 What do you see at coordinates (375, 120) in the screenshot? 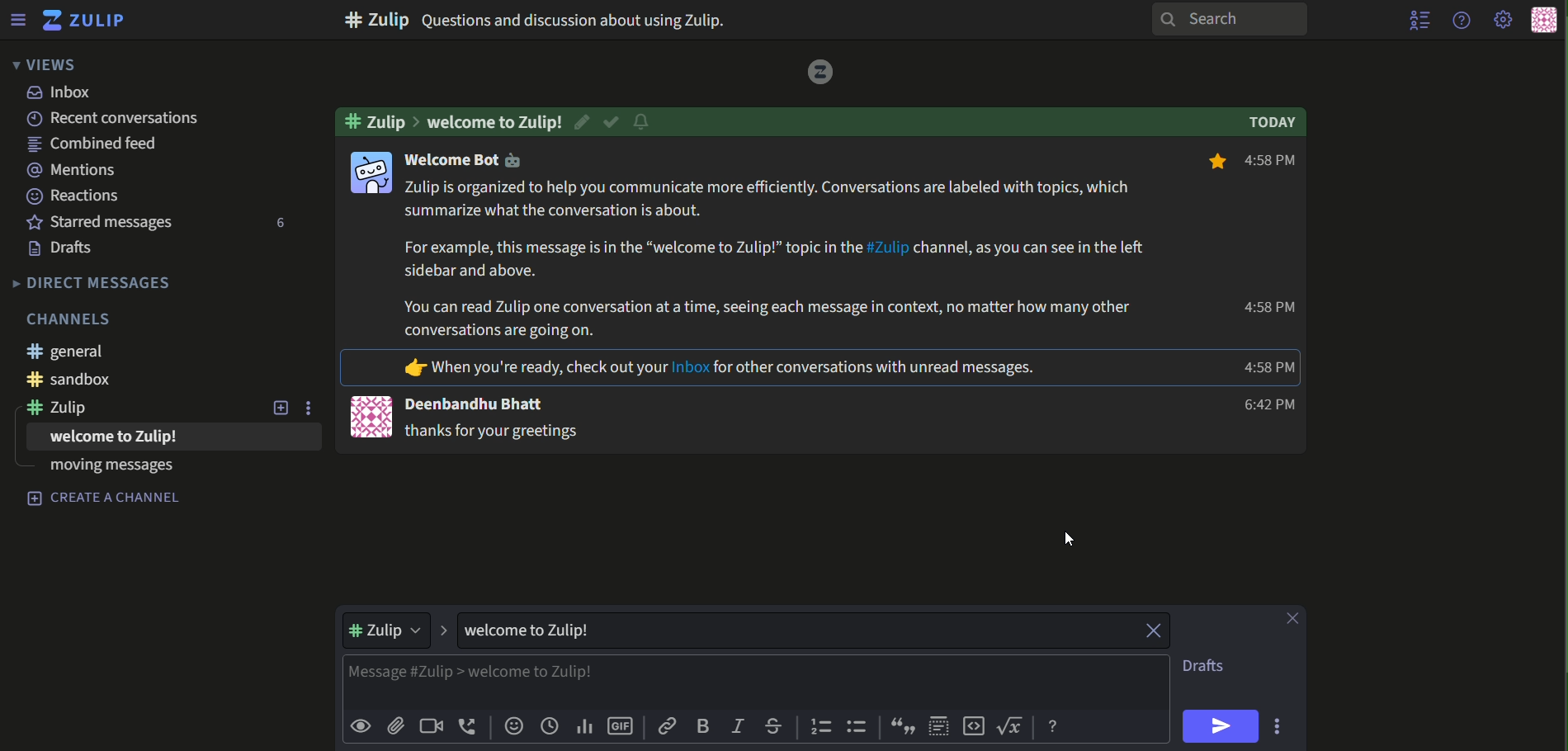
I see `text` at bounding box center [375, 120].